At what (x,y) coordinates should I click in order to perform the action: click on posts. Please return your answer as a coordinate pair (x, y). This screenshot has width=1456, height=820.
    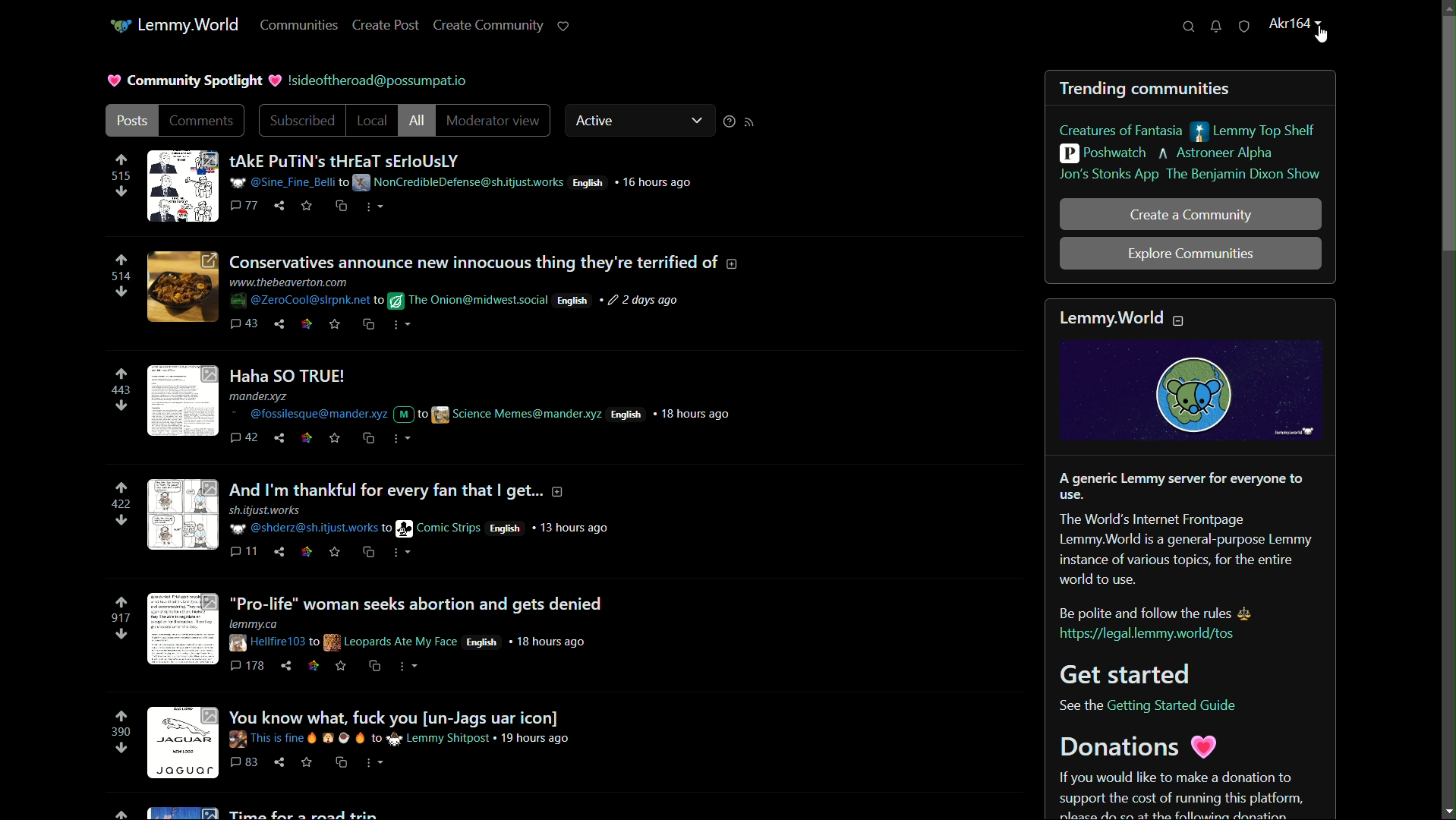
    Looking at the image, I should click on (131, 121).